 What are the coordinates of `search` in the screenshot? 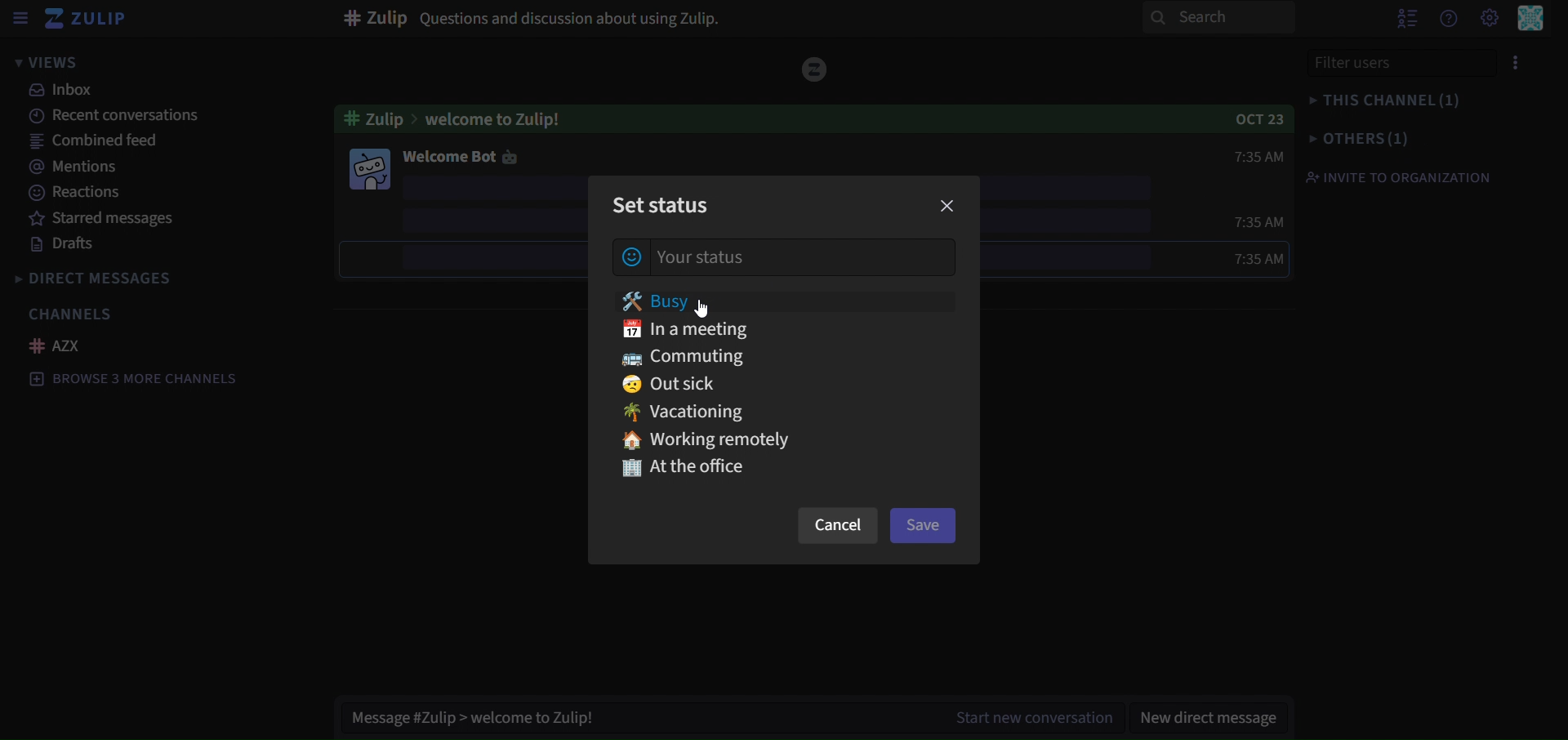 It's located at (1218, 18).